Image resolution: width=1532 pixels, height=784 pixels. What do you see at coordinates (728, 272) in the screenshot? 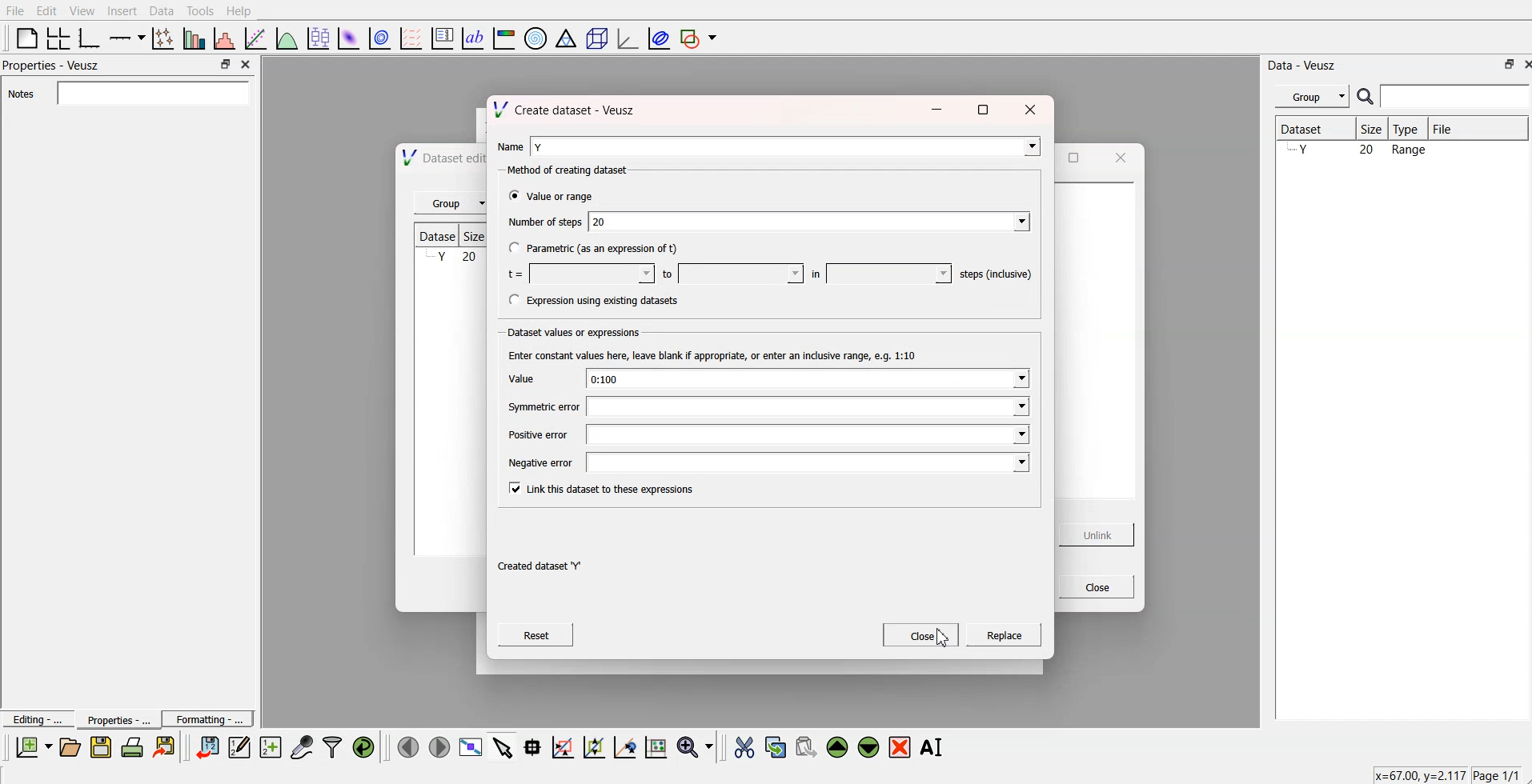
I see `to` at bounding box center [728, 272].